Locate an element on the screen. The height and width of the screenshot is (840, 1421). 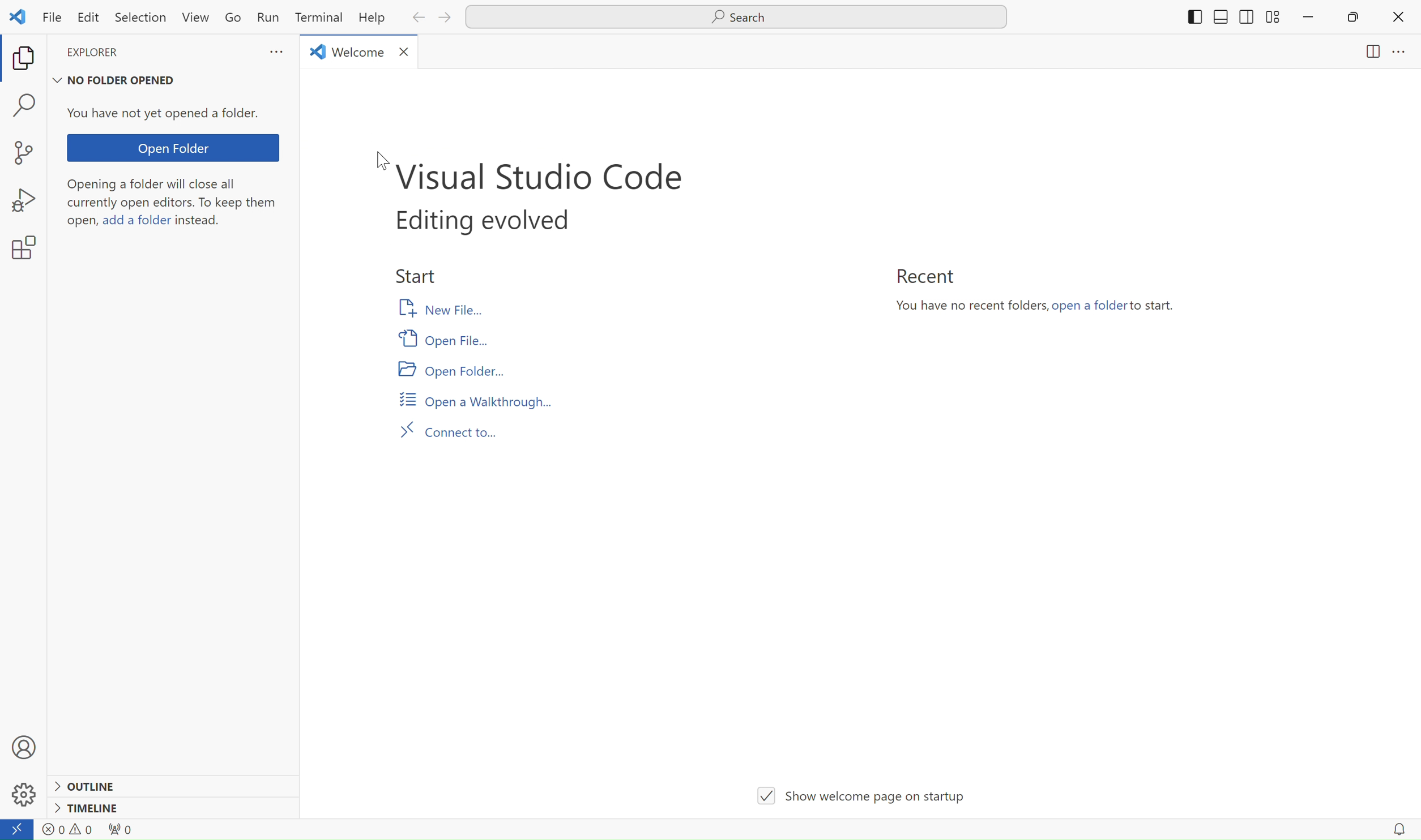
page is located at coordinates (1362, 57).